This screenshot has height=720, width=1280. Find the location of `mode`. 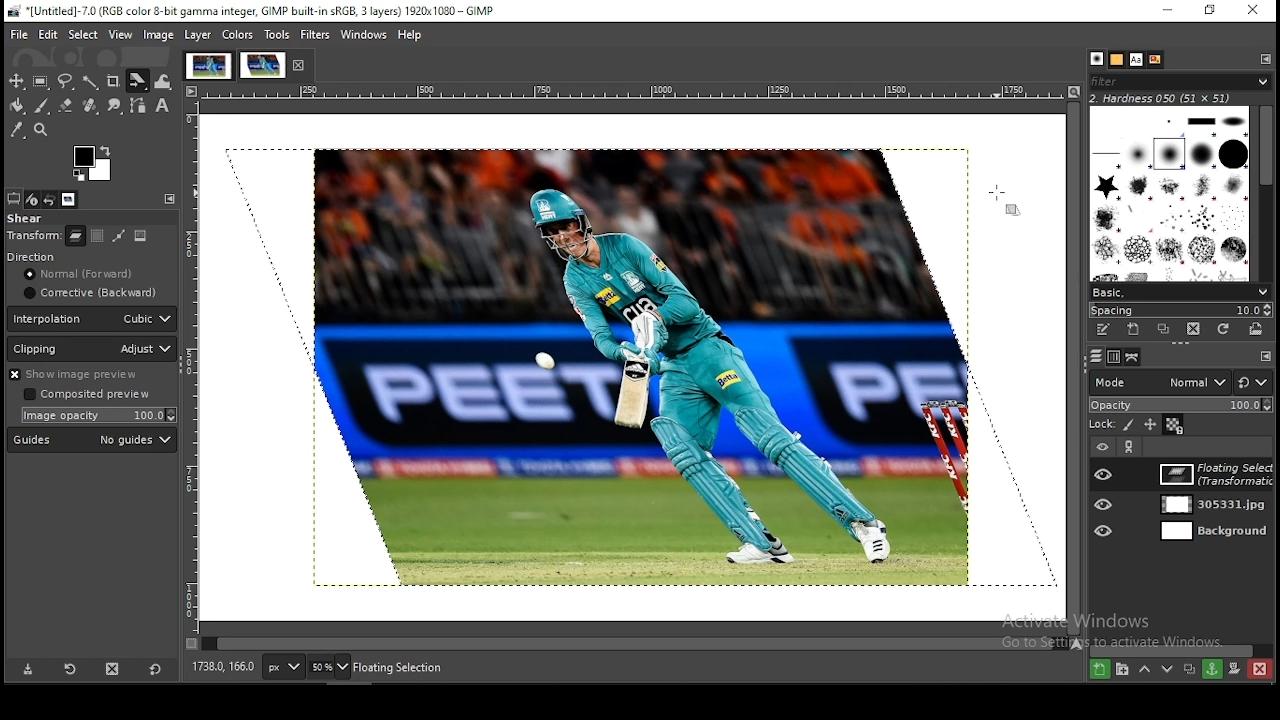

mode is located at coordinates (1158, 382).